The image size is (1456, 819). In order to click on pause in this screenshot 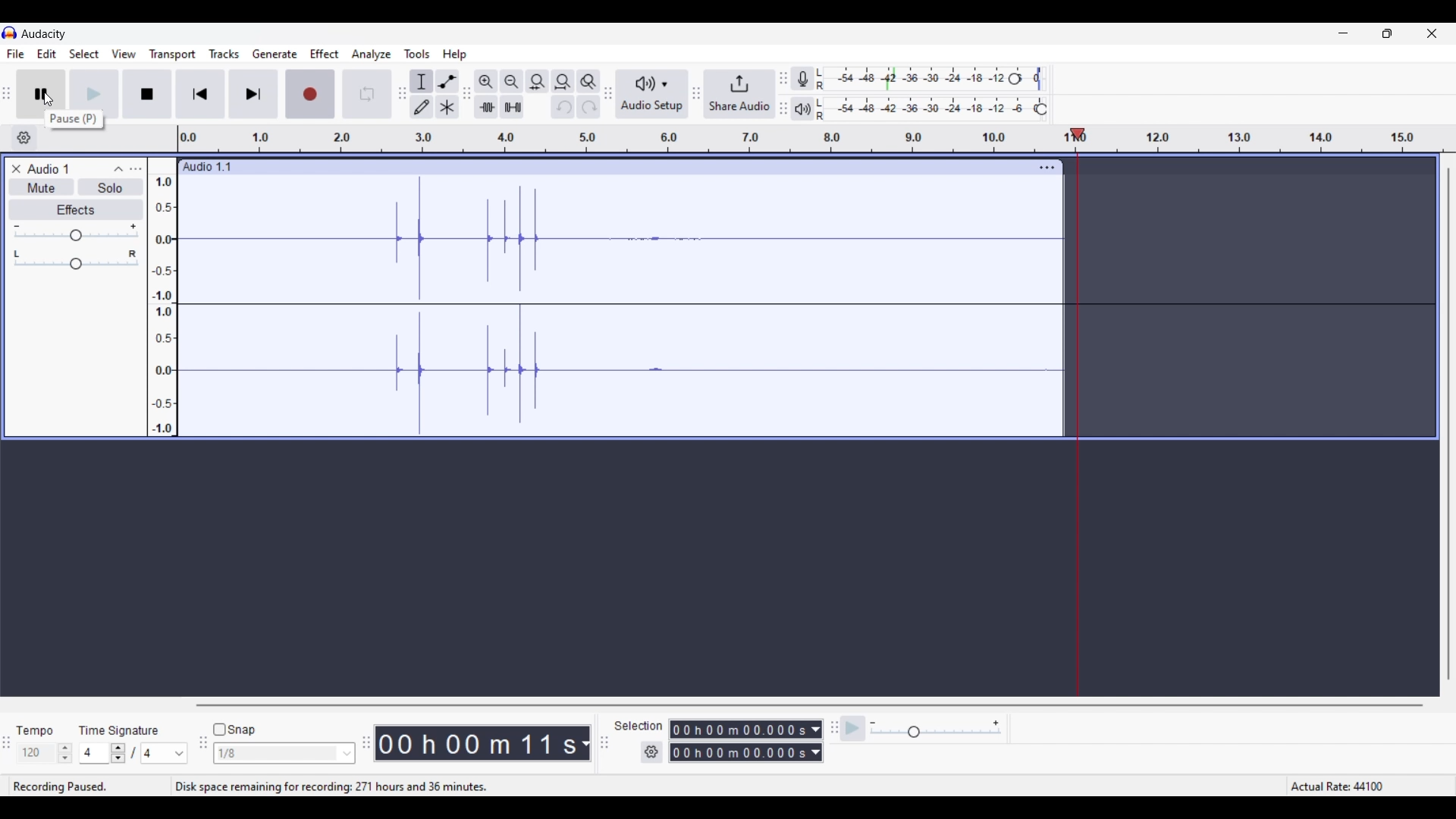, I will do `click(81, 121)`.